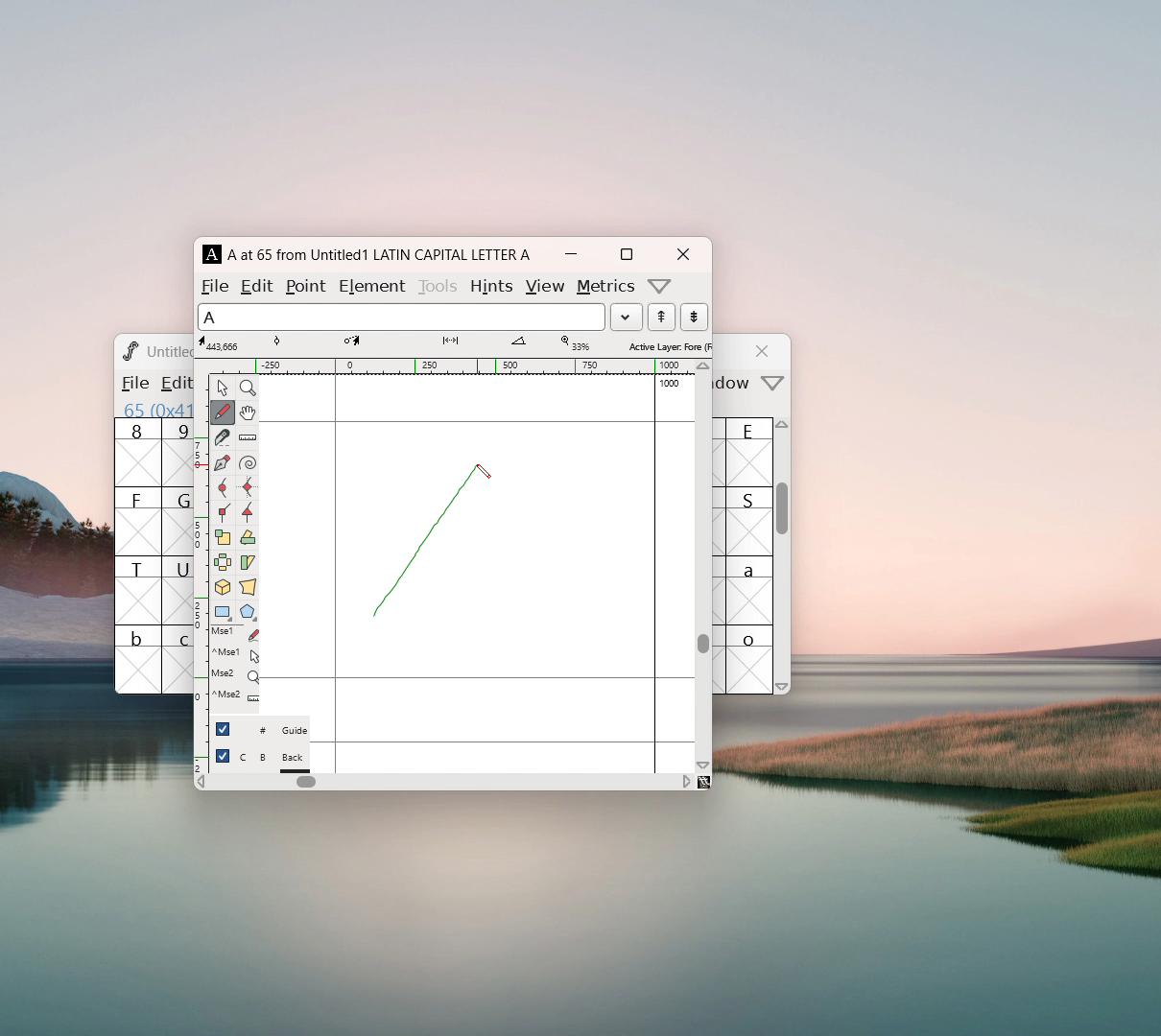 Image resolution: width=1161 pixels, height=1036 pixels. I want to click on scrollbar, so click(703, 643).